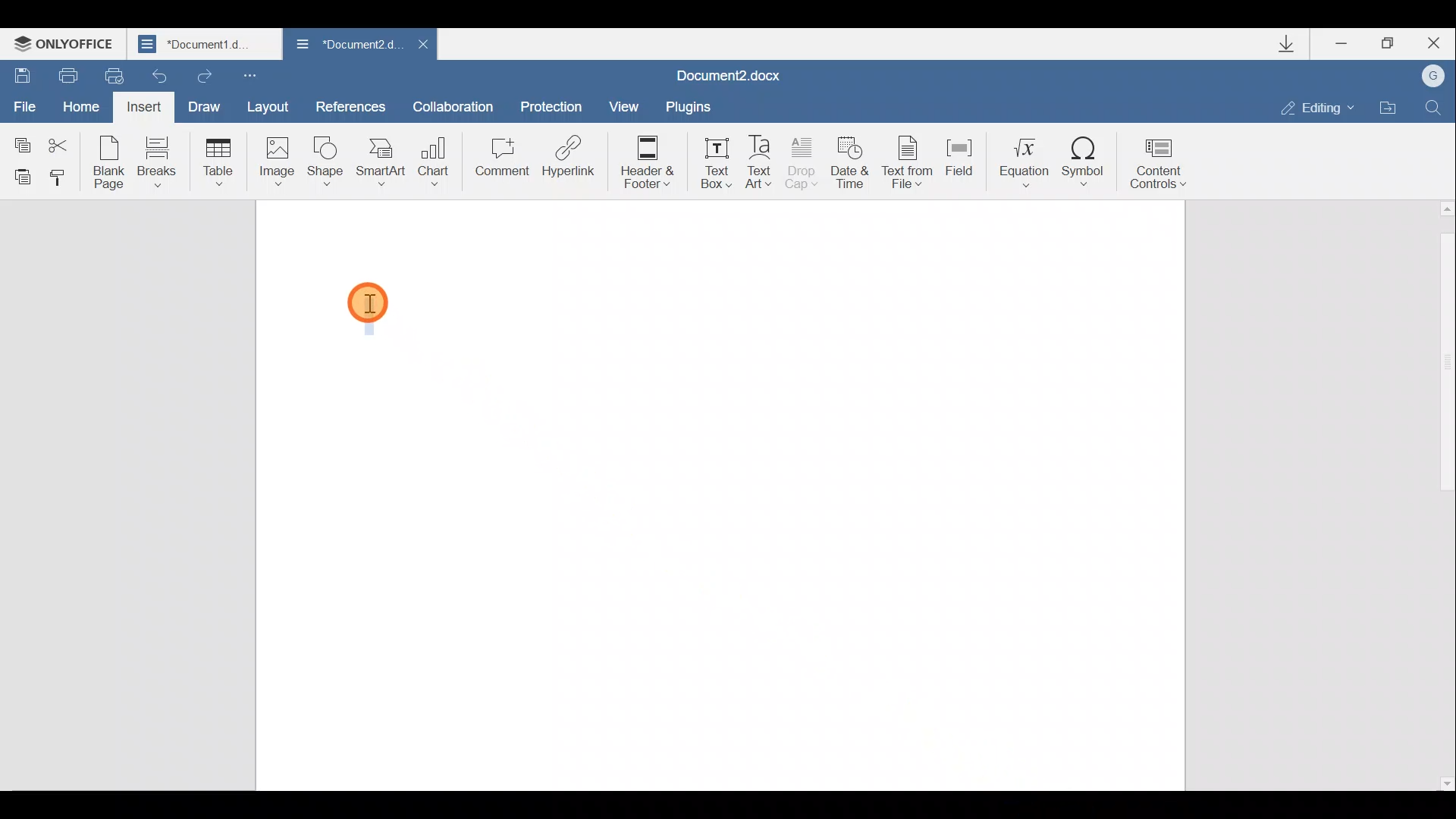 This screenshot has height=819, width=1456. What do you see at coordinates (20, 176) in the screenshot?
I see `Paste` at bounding box center [20, 176].